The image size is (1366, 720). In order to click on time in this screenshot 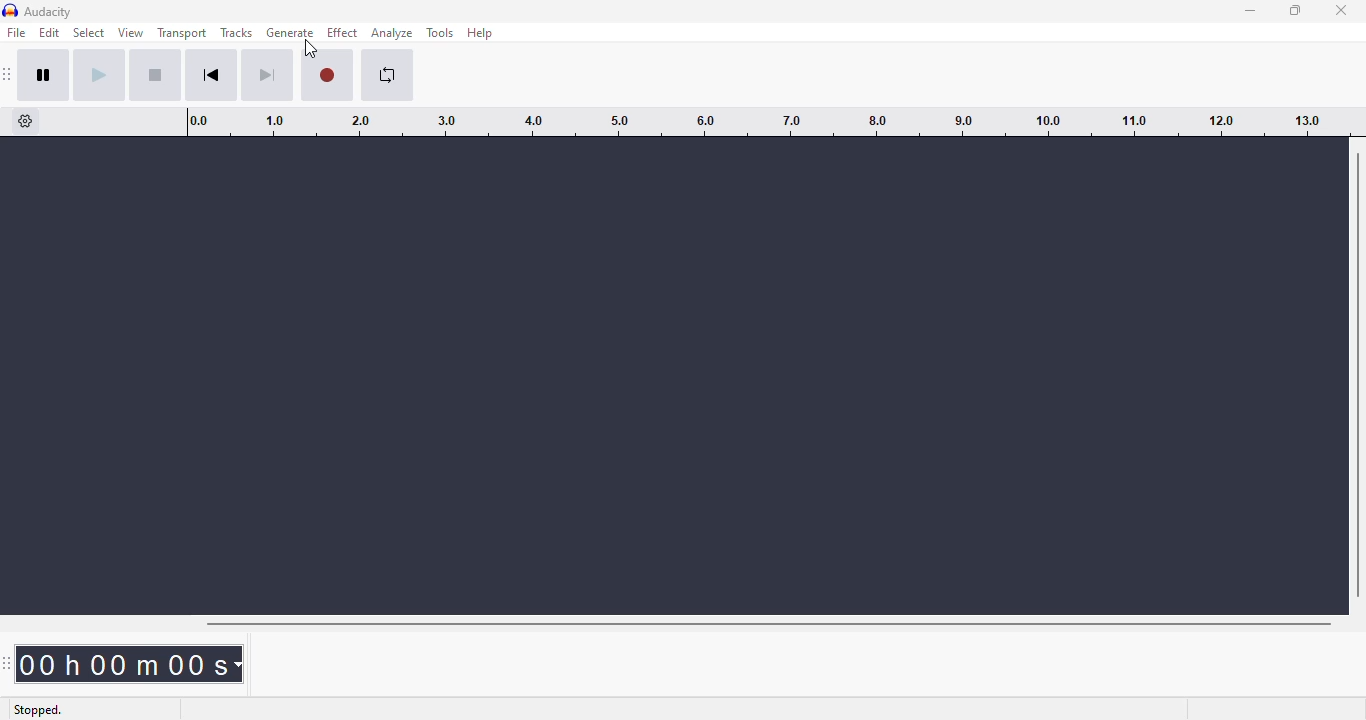, I will do `click(130, 664)`.